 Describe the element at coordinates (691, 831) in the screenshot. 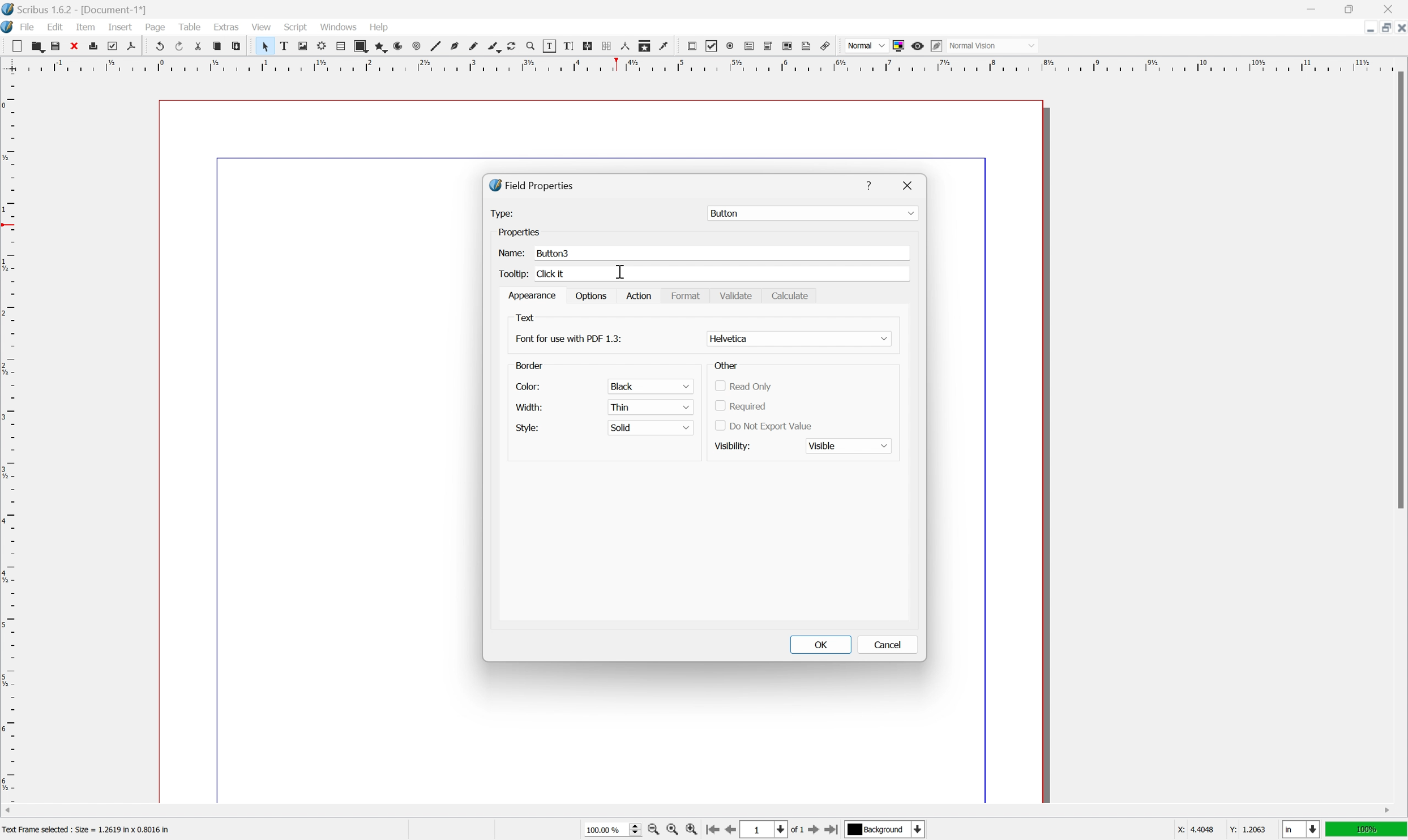

I see `zoom in` at that location.